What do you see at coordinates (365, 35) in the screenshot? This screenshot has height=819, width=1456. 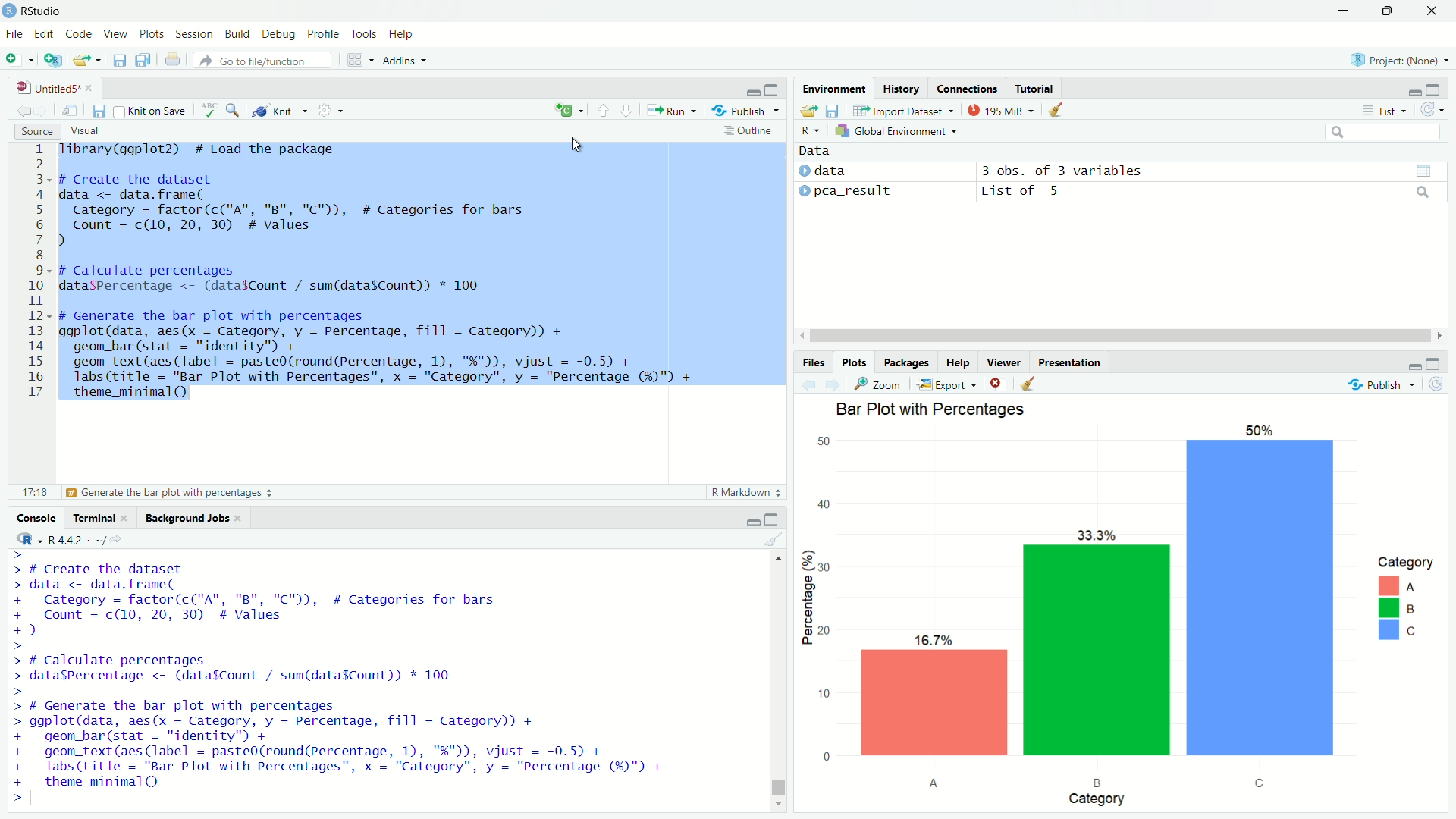 I see `tools` at bounding box center [365, 35].